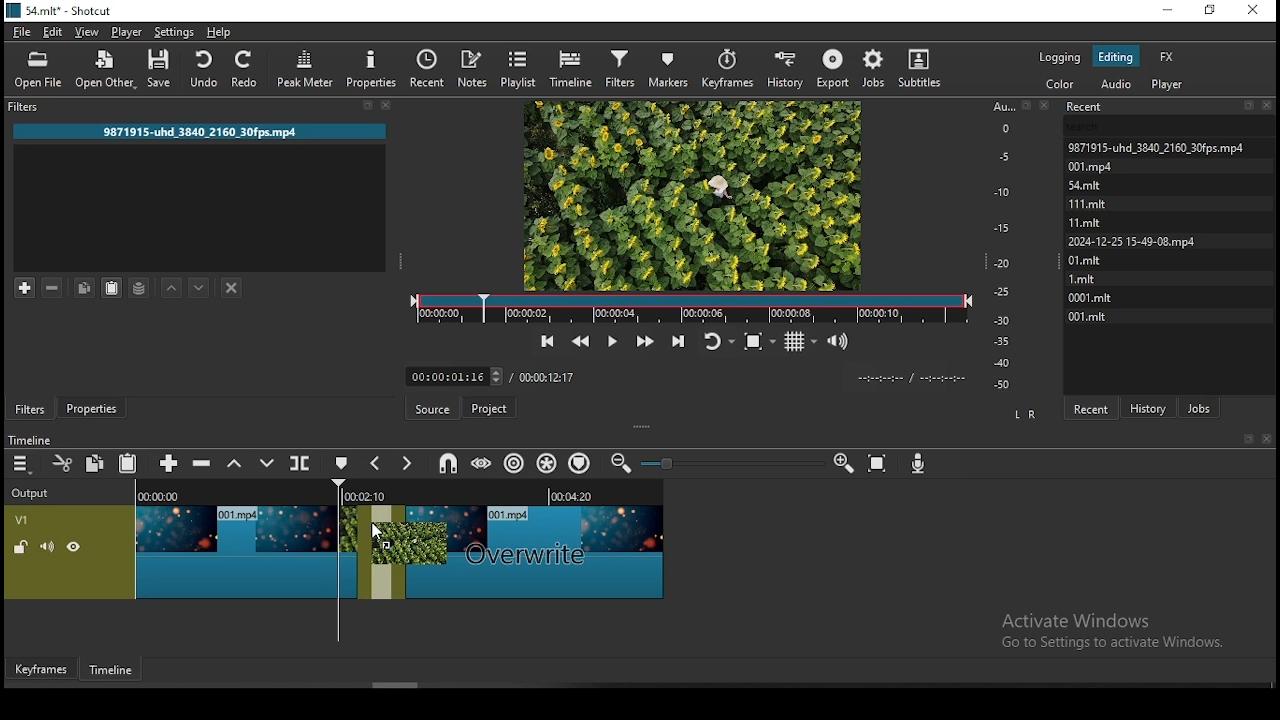  Describe the element at coordinates (1251, 11) in the screenshot. I see `close window` at that location.